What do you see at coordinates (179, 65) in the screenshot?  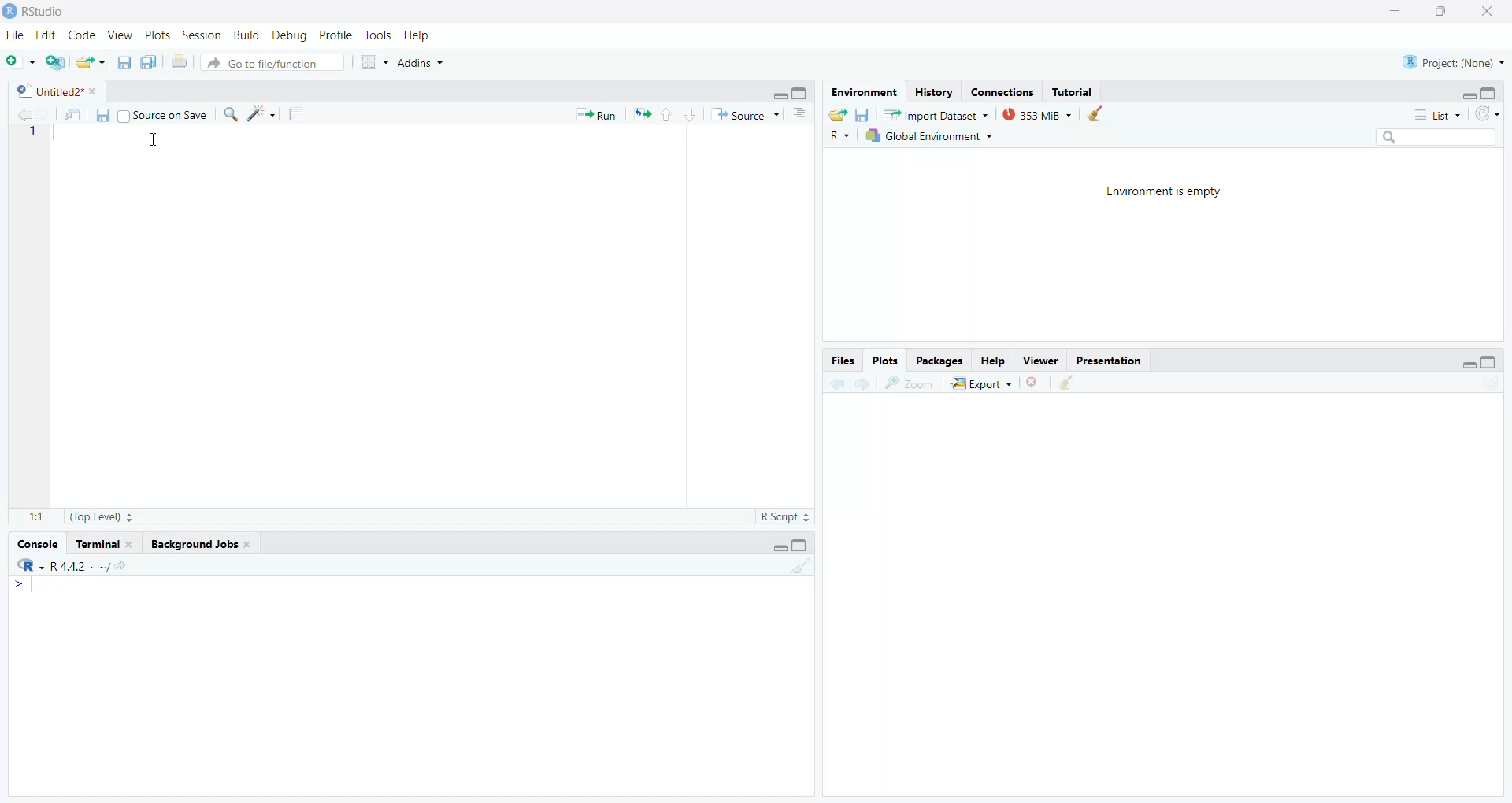 I see `print the current file` at bounding box center [179, 65].